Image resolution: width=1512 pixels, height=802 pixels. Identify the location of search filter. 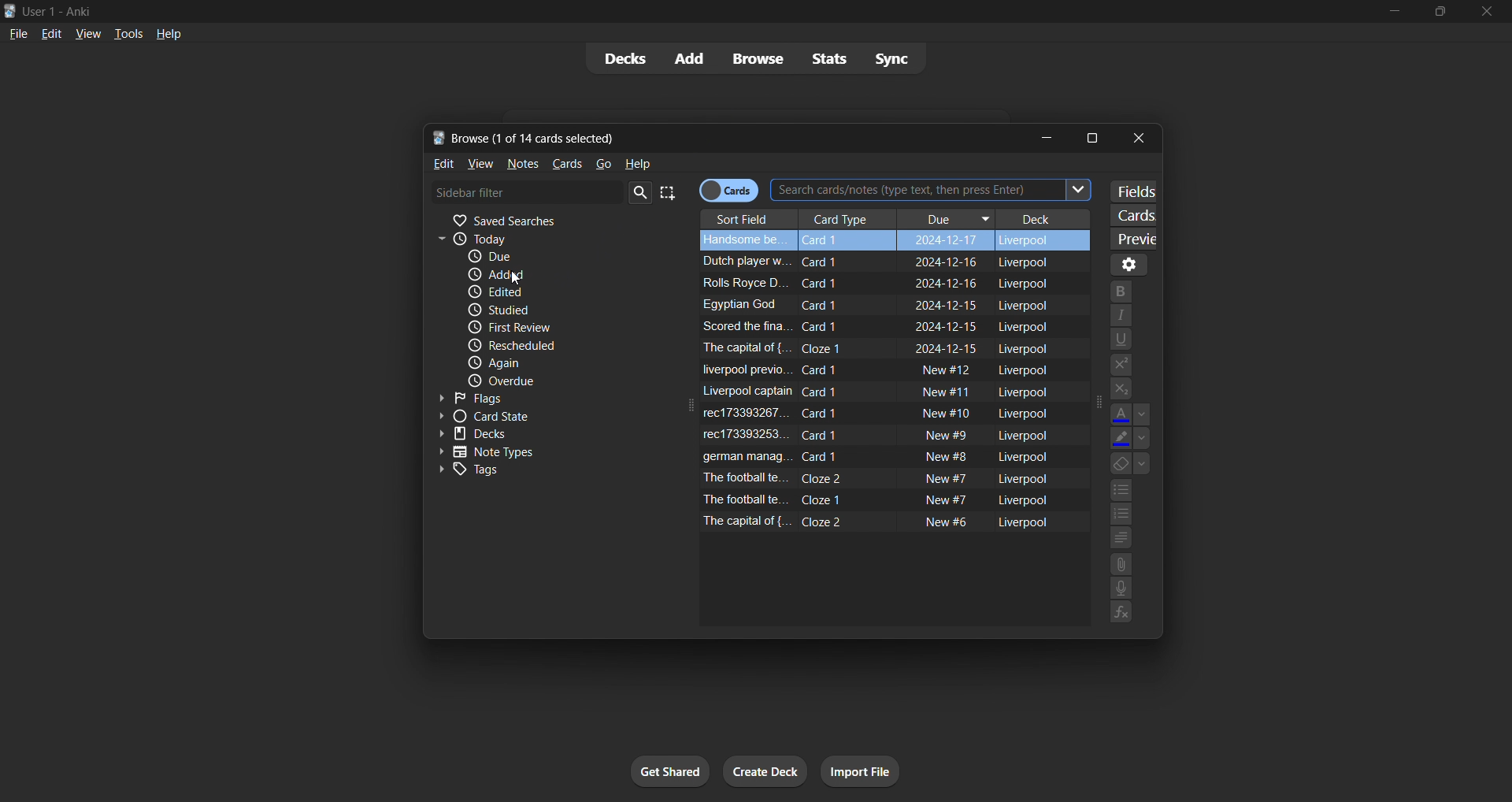
(543, 192).